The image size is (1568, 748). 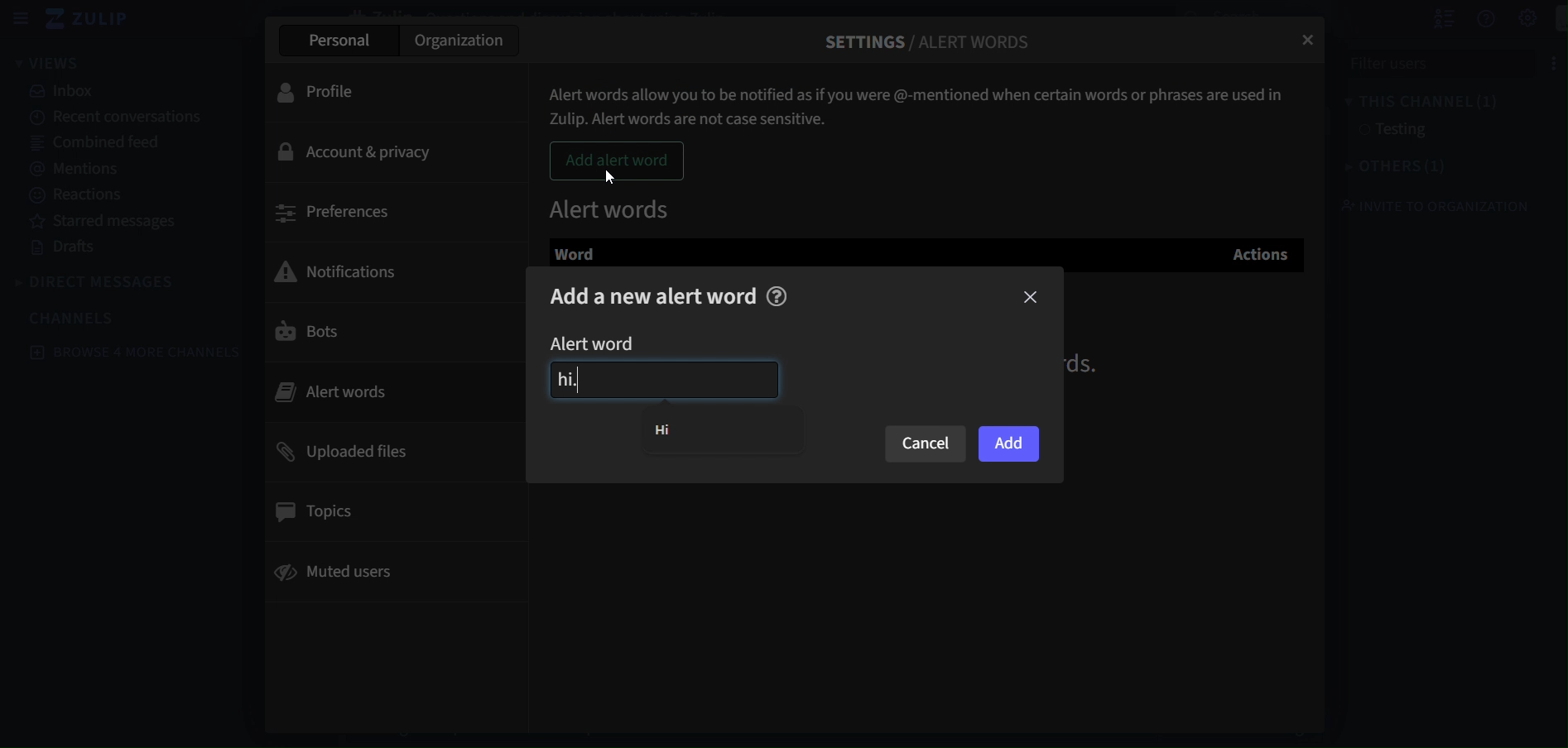 I want to click on notifications, so click(x=348, y=269).